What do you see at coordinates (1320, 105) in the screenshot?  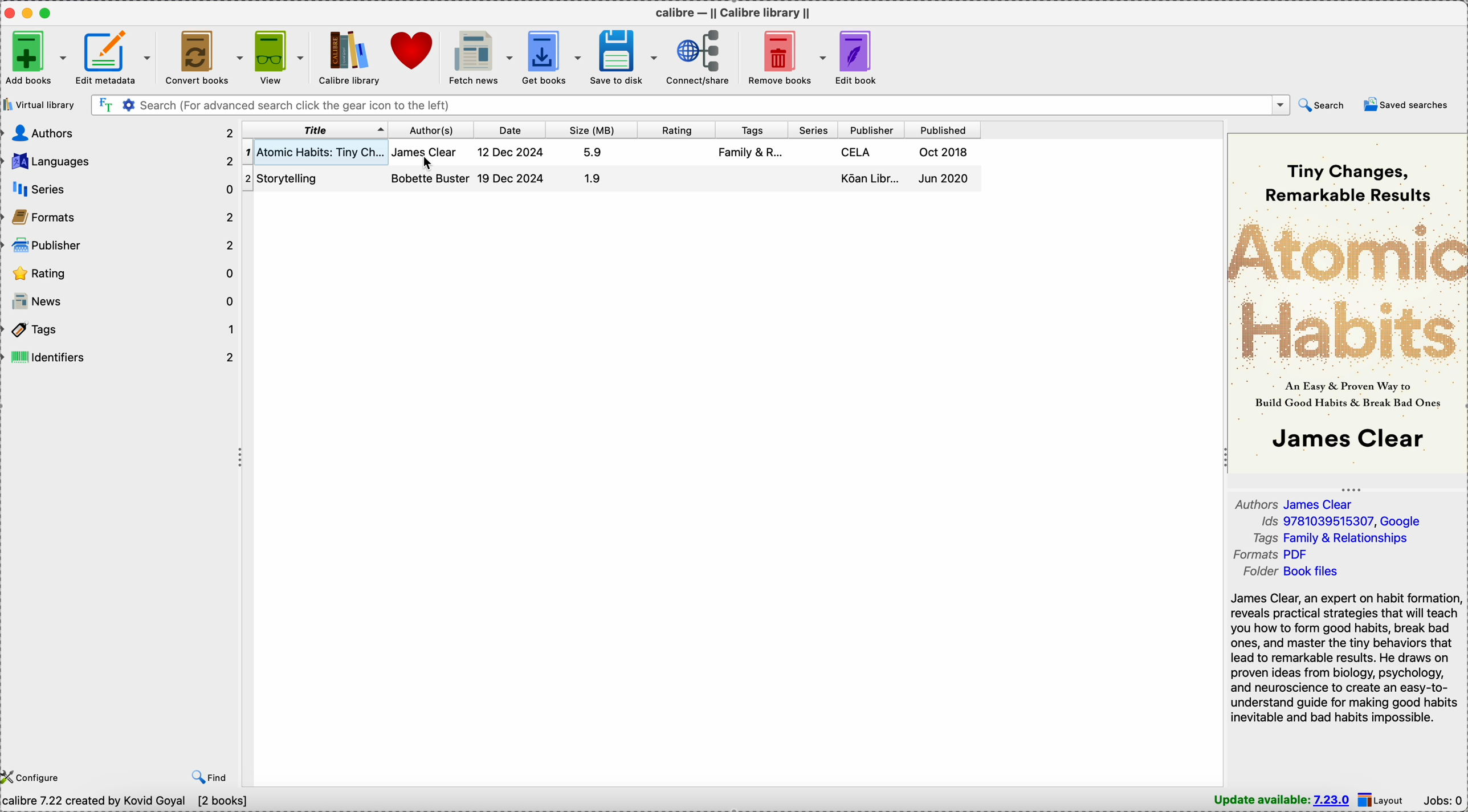 I see `search` at bounding box center [1320, 105].